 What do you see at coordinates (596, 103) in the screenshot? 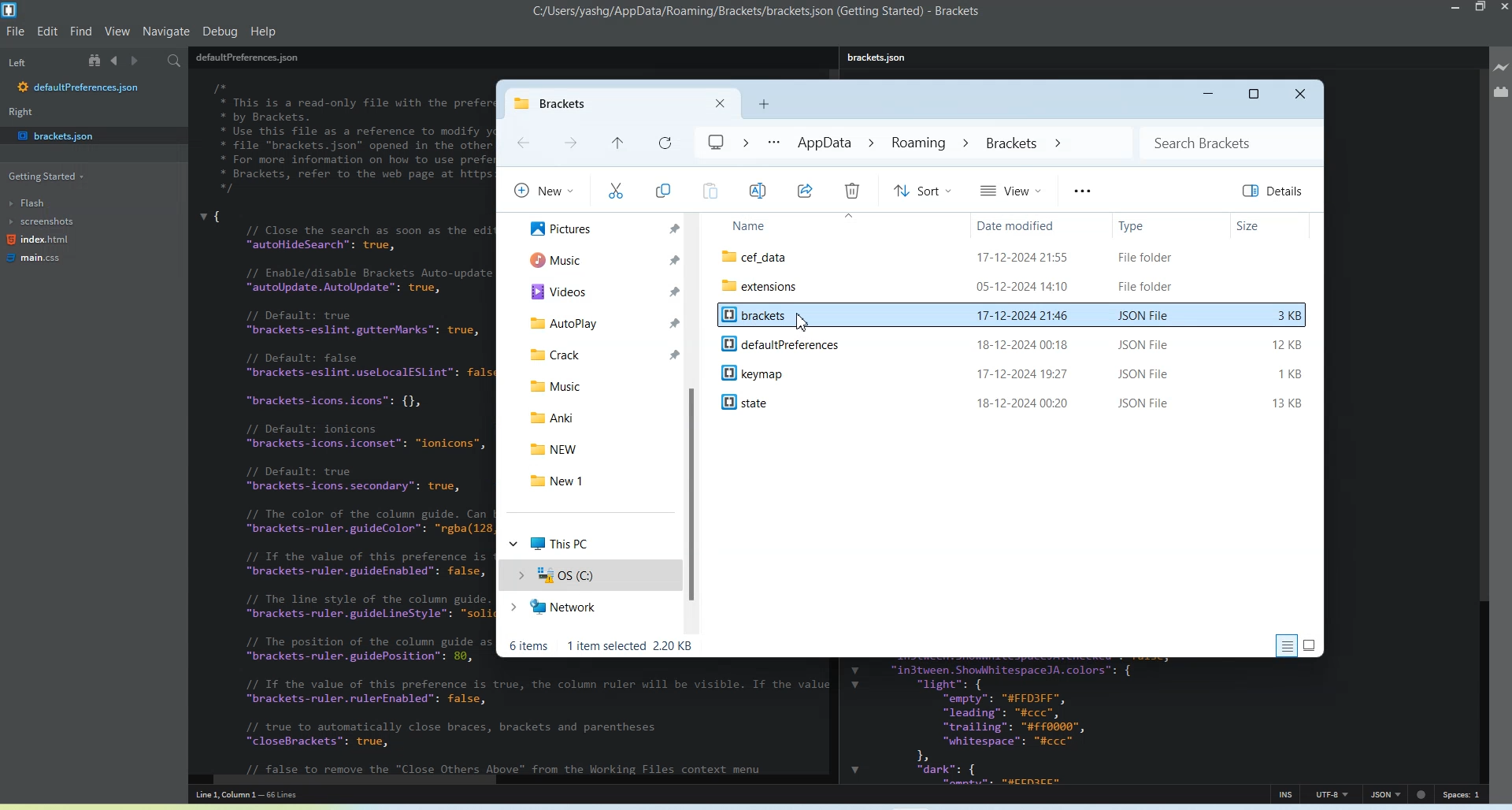
I see `New tab` at bounding box center [596, 103].